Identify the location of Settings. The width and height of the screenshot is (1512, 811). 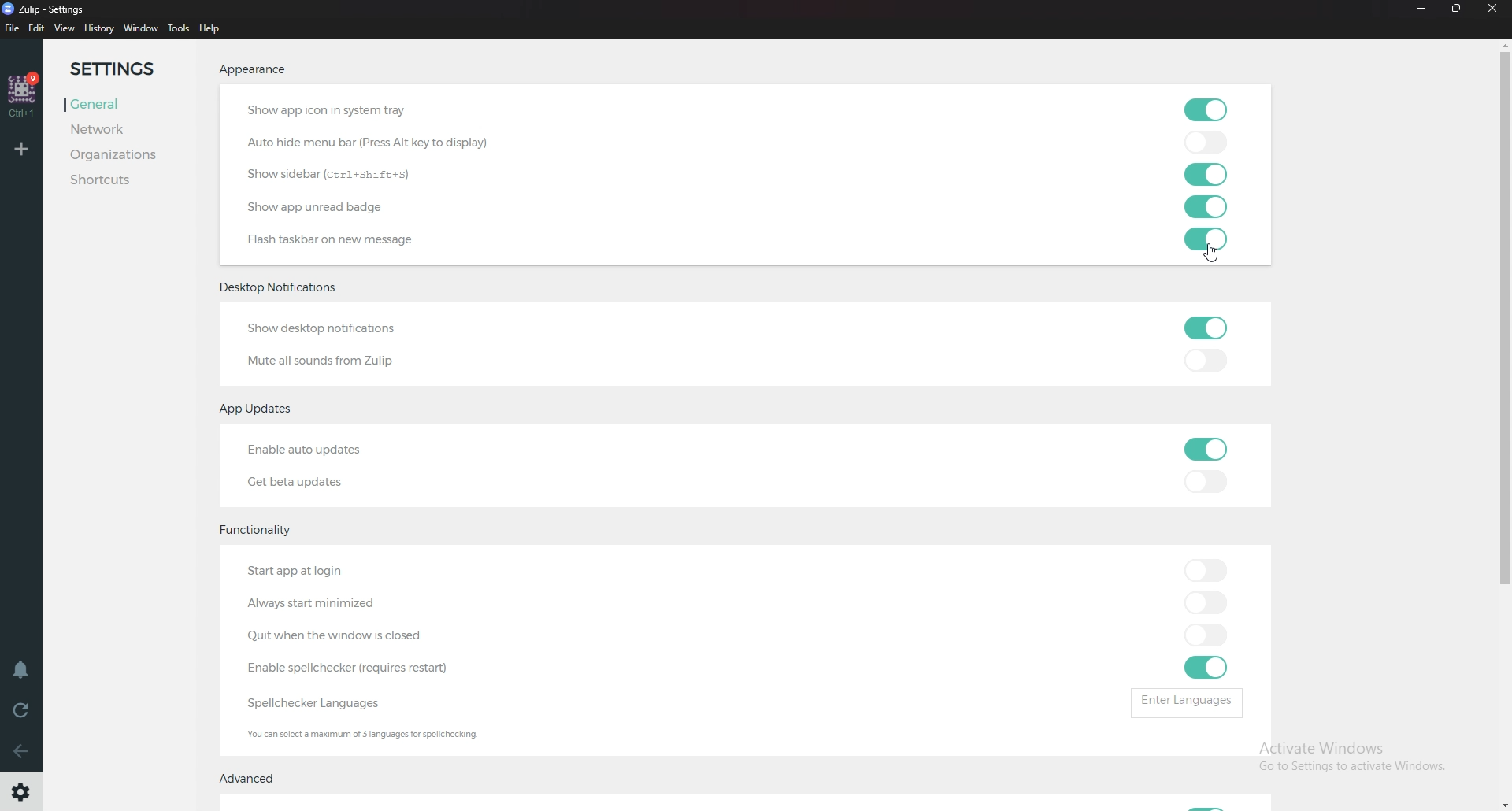
(124, 69).